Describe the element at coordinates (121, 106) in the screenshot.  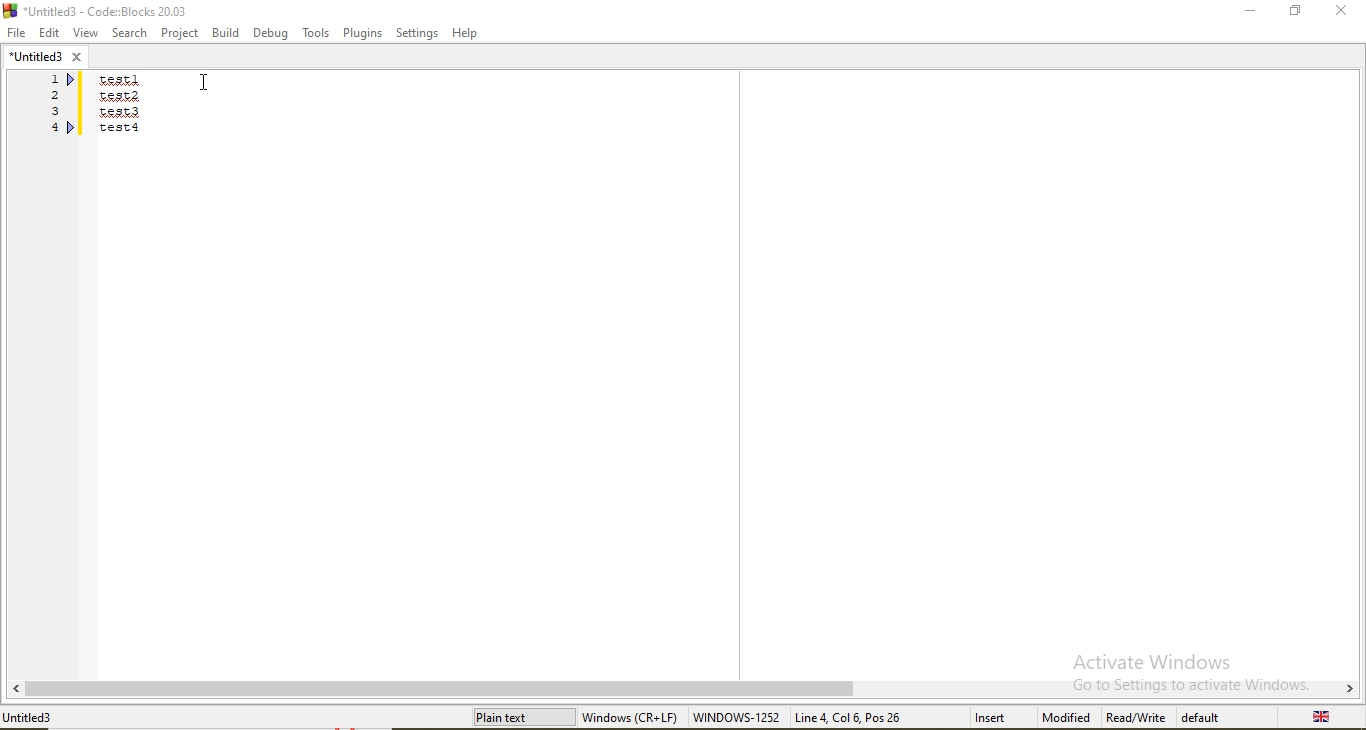
I see `test1/test2/test3/test4` at that location.